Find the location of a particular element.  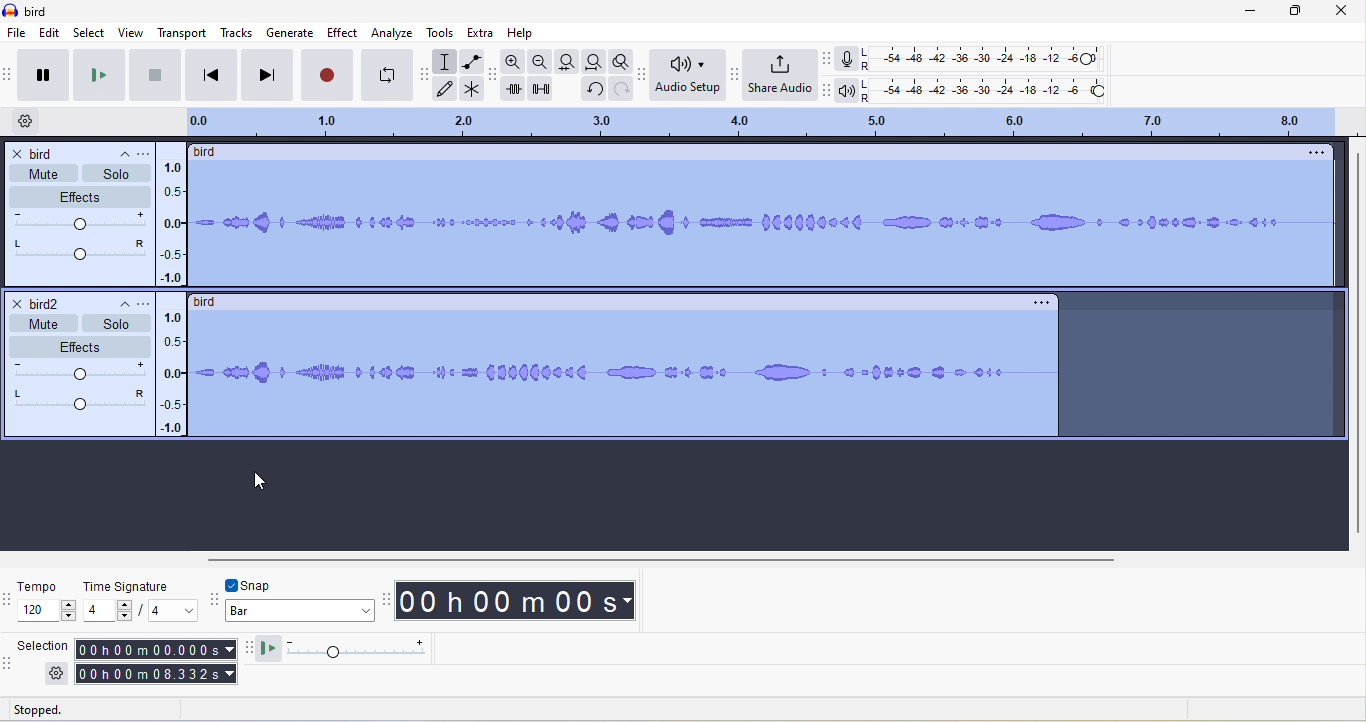

audacity recording meter toolbar is located at coordinates (827, 61).